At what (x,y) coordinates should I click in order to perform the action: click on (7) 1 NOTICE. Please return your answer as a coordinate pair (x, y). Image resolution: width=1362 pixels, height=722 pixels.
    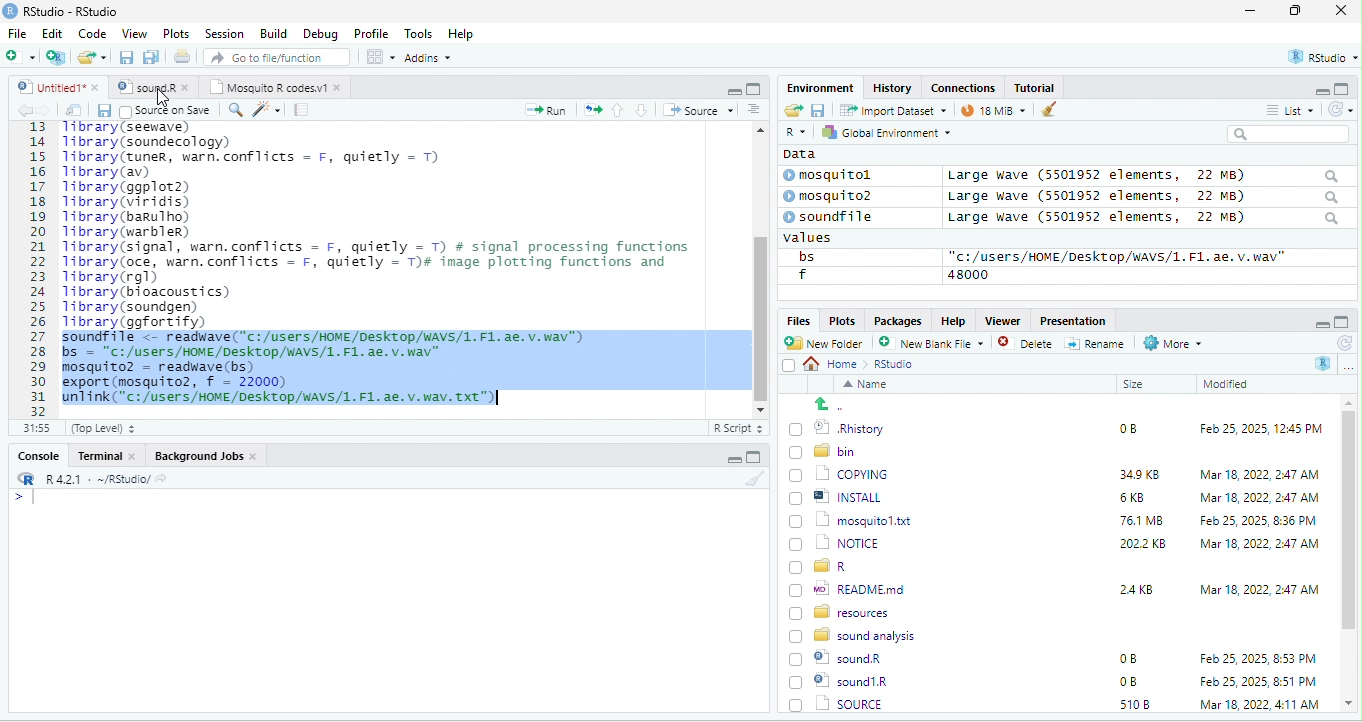
    Looking at the image, I should click on (832, 544).